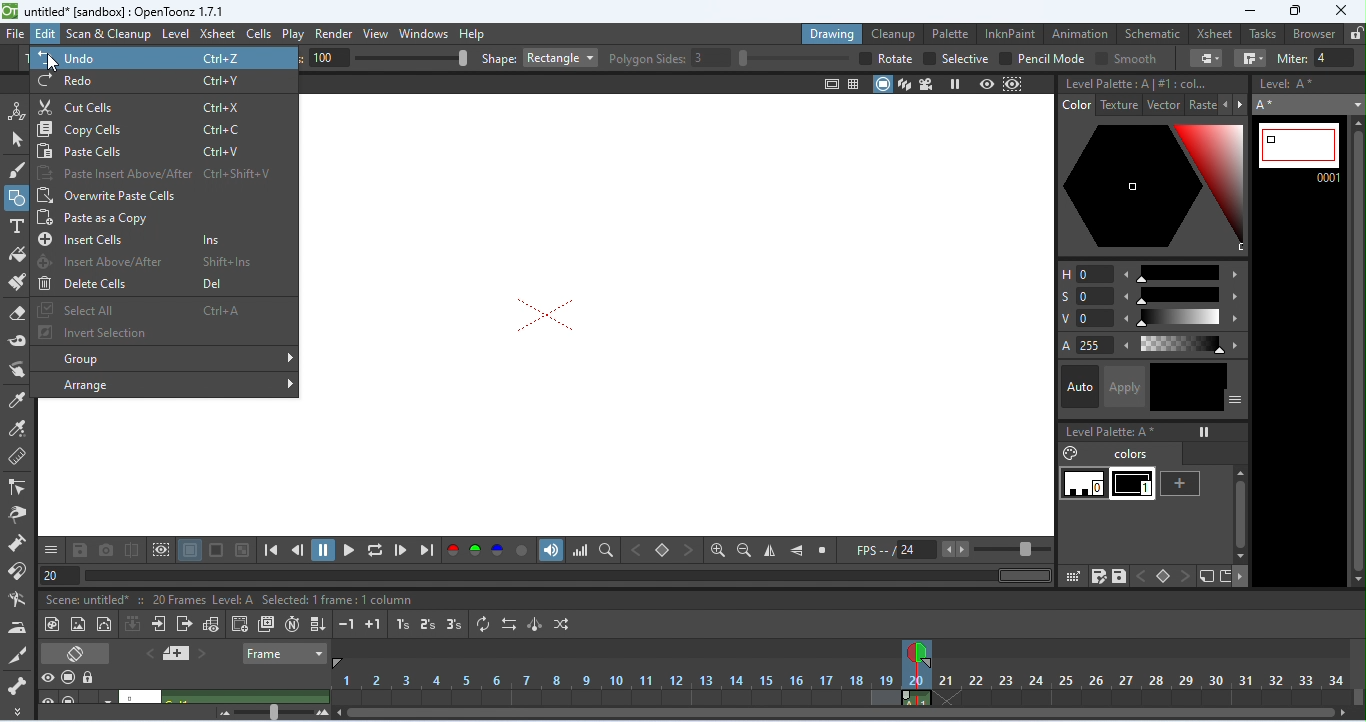 The width and height of the screenshot is (1366, 722). I want to click on zoom factor, so click(271, 713).